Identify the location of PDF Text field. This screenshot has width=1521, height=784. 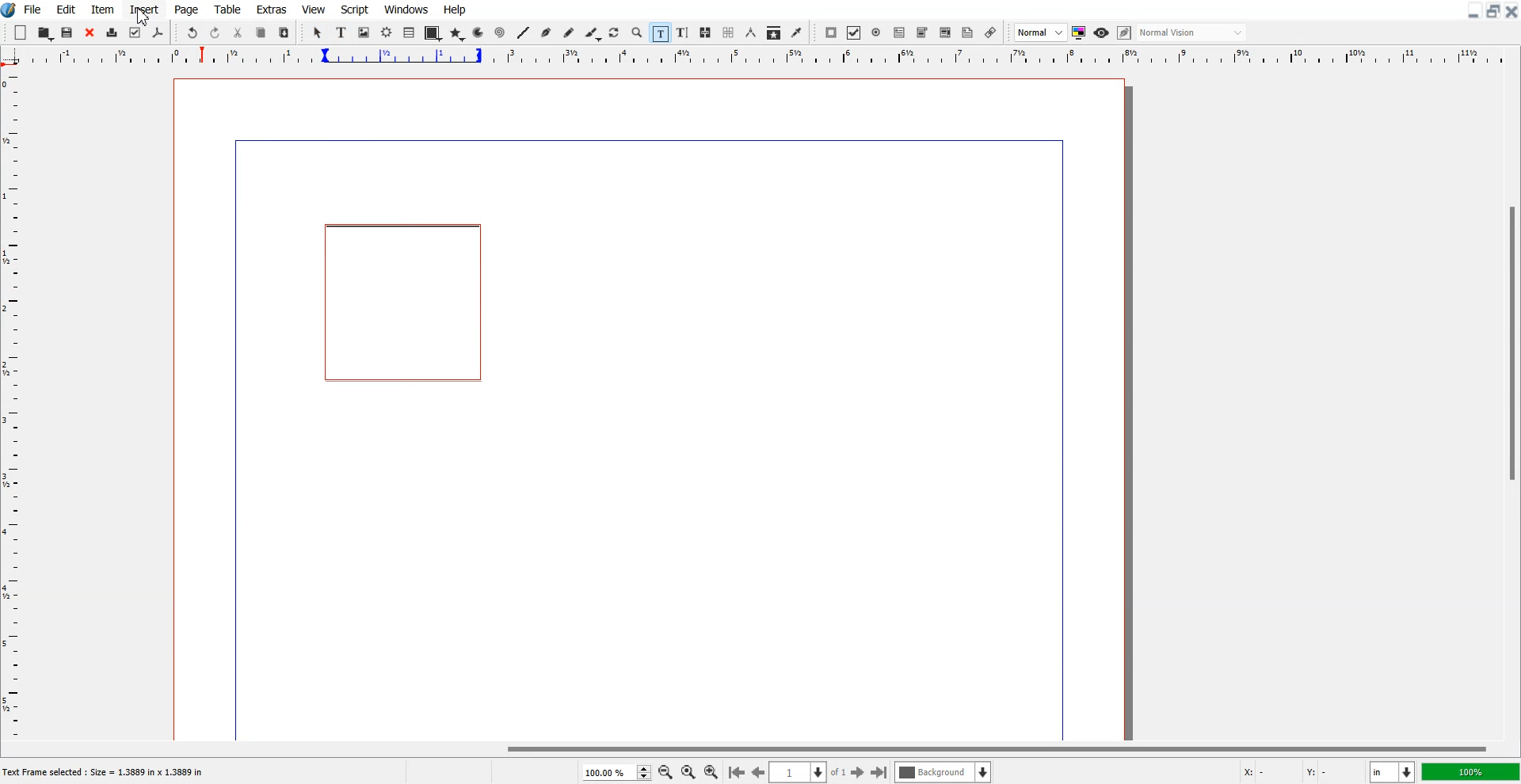
(922, 33).